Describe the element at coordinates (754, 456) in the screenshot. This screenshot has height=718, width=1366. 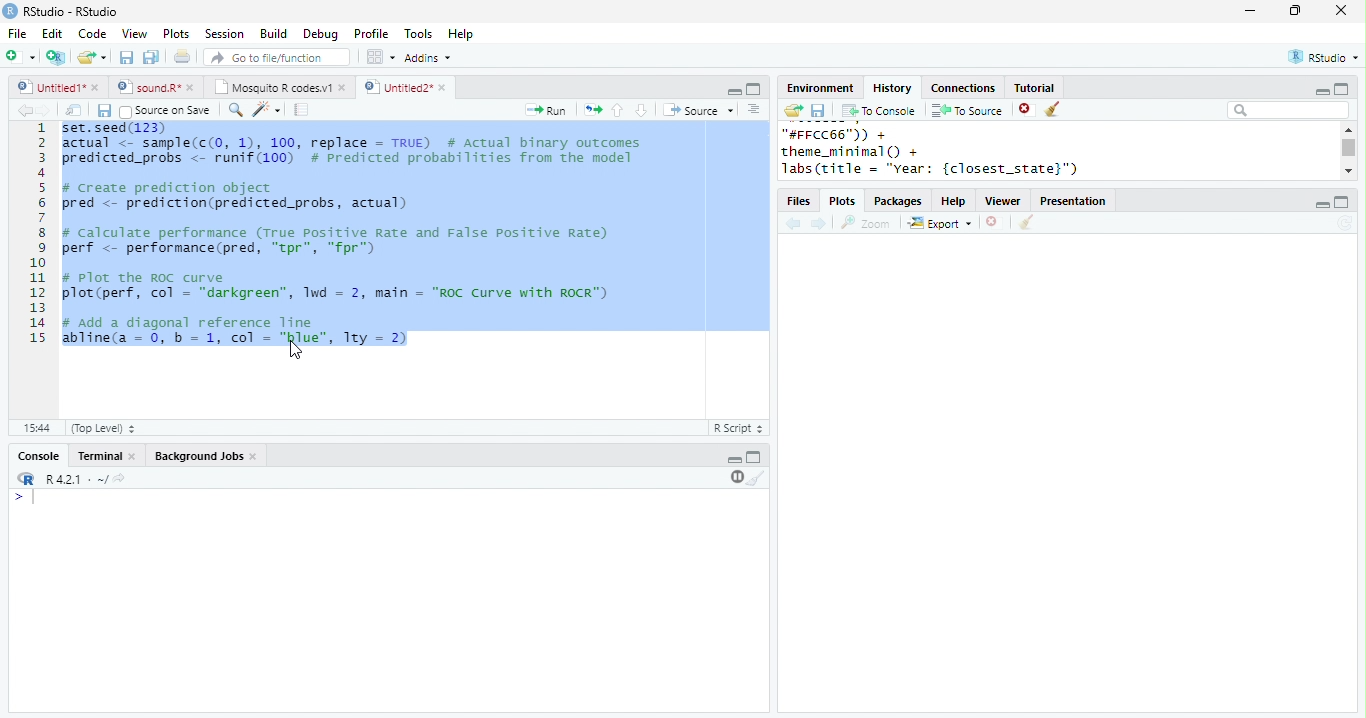
I see `maximize` at that location.